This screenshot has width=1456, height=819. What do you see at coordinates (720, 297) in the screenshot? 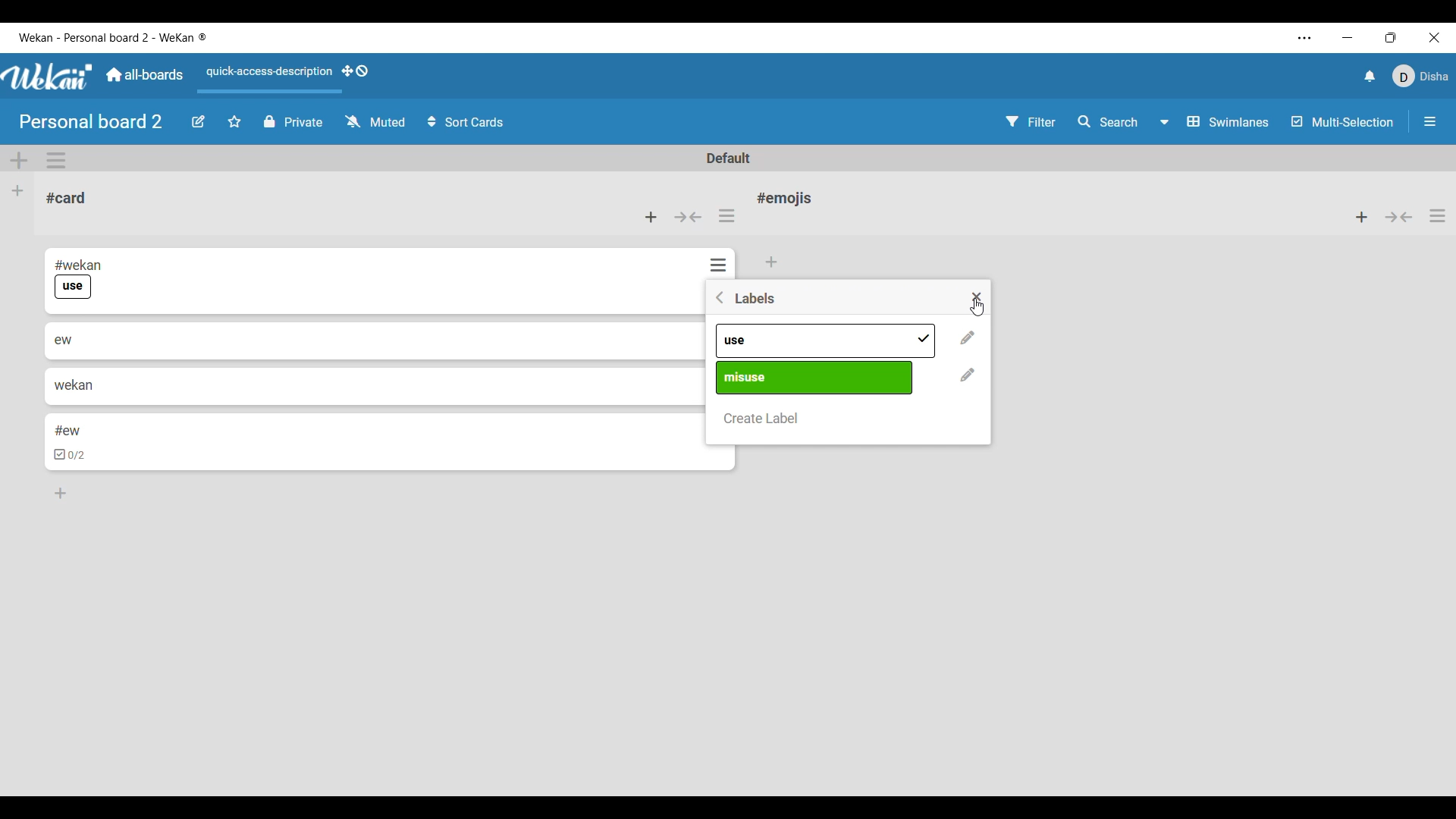
I see `Go back` at bounding box center [720, 297].